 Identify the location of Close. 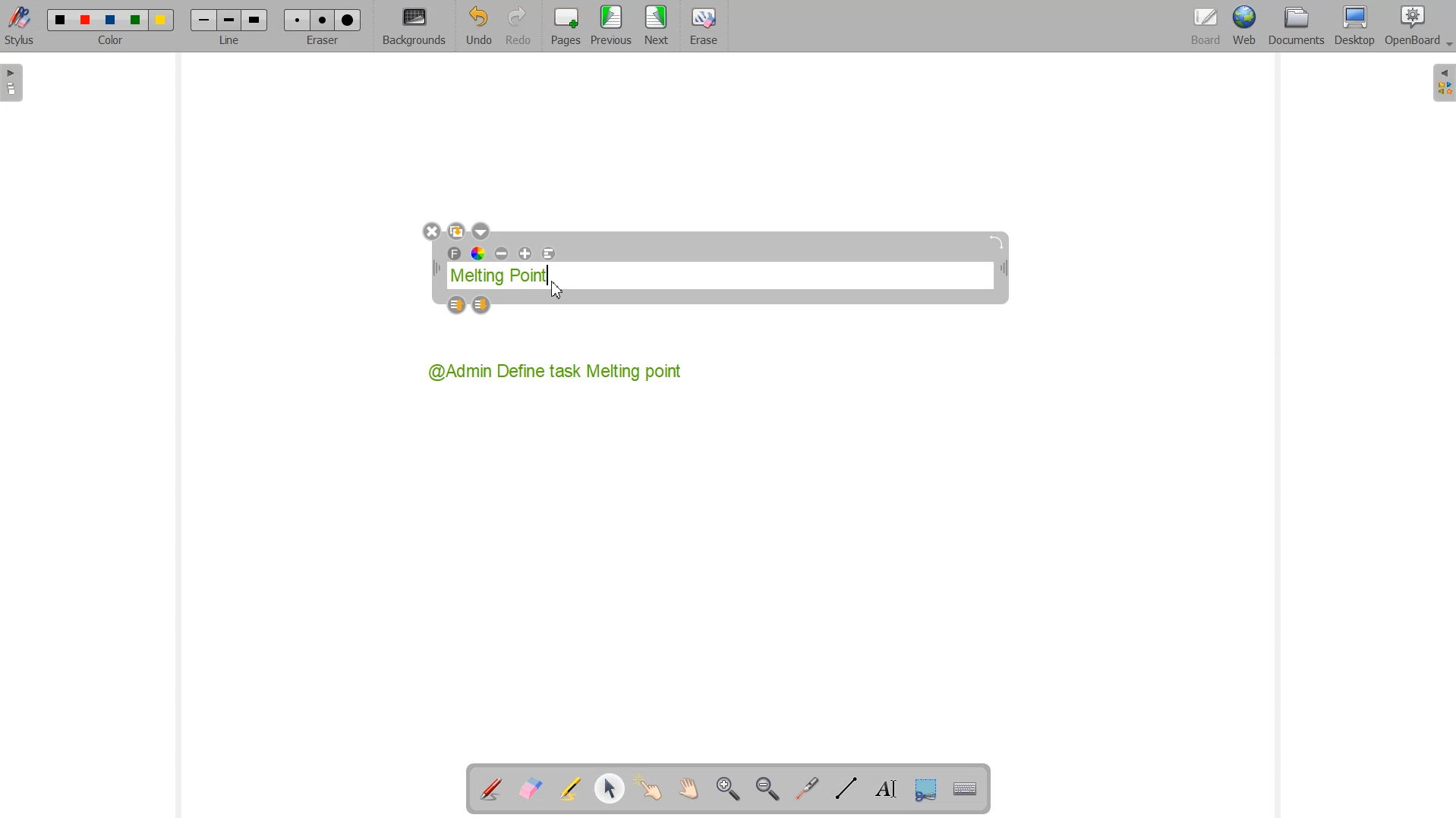
(431, 232).